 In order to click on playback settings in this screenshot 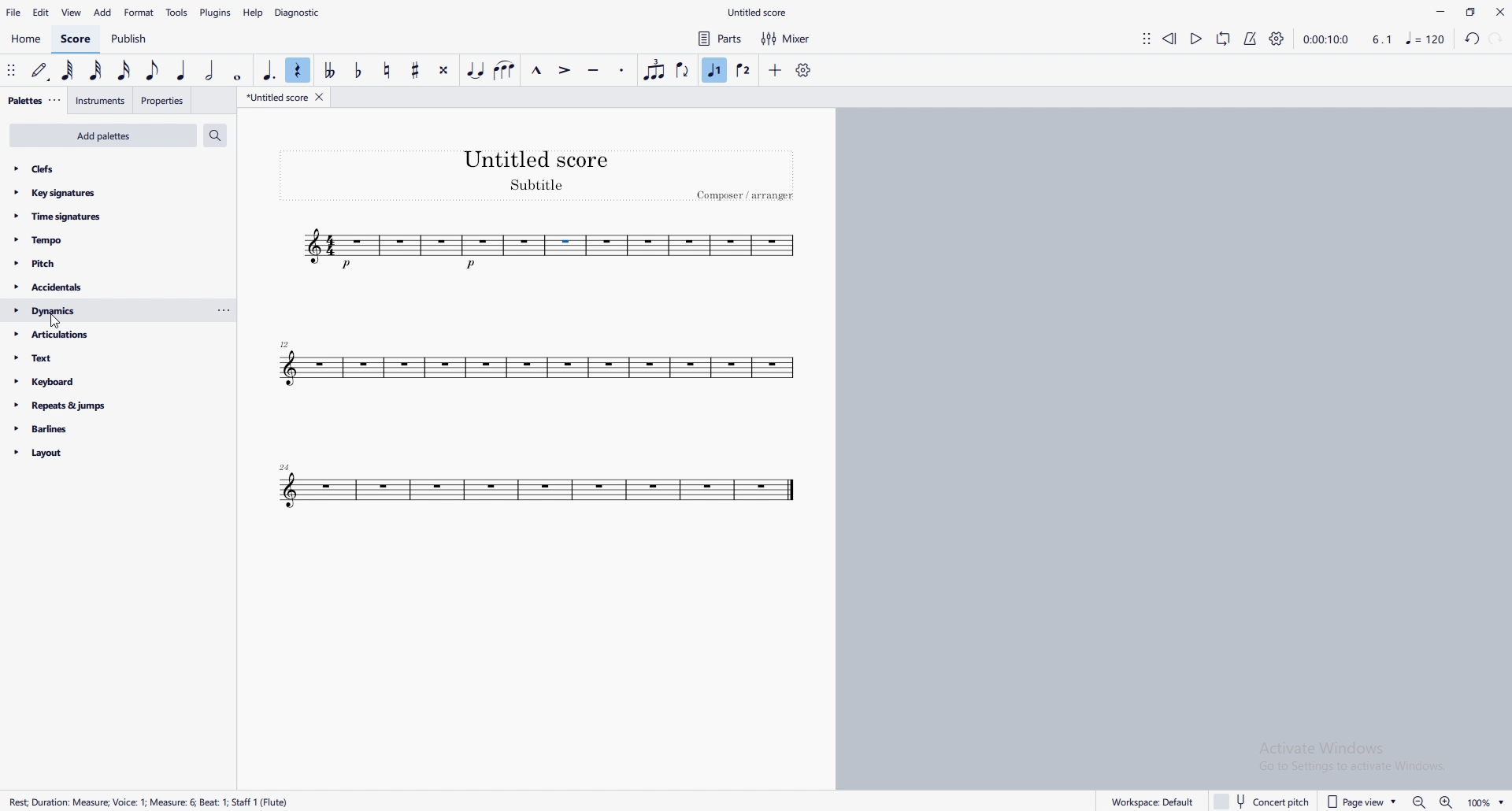, I will do `click(1277, 38)`.